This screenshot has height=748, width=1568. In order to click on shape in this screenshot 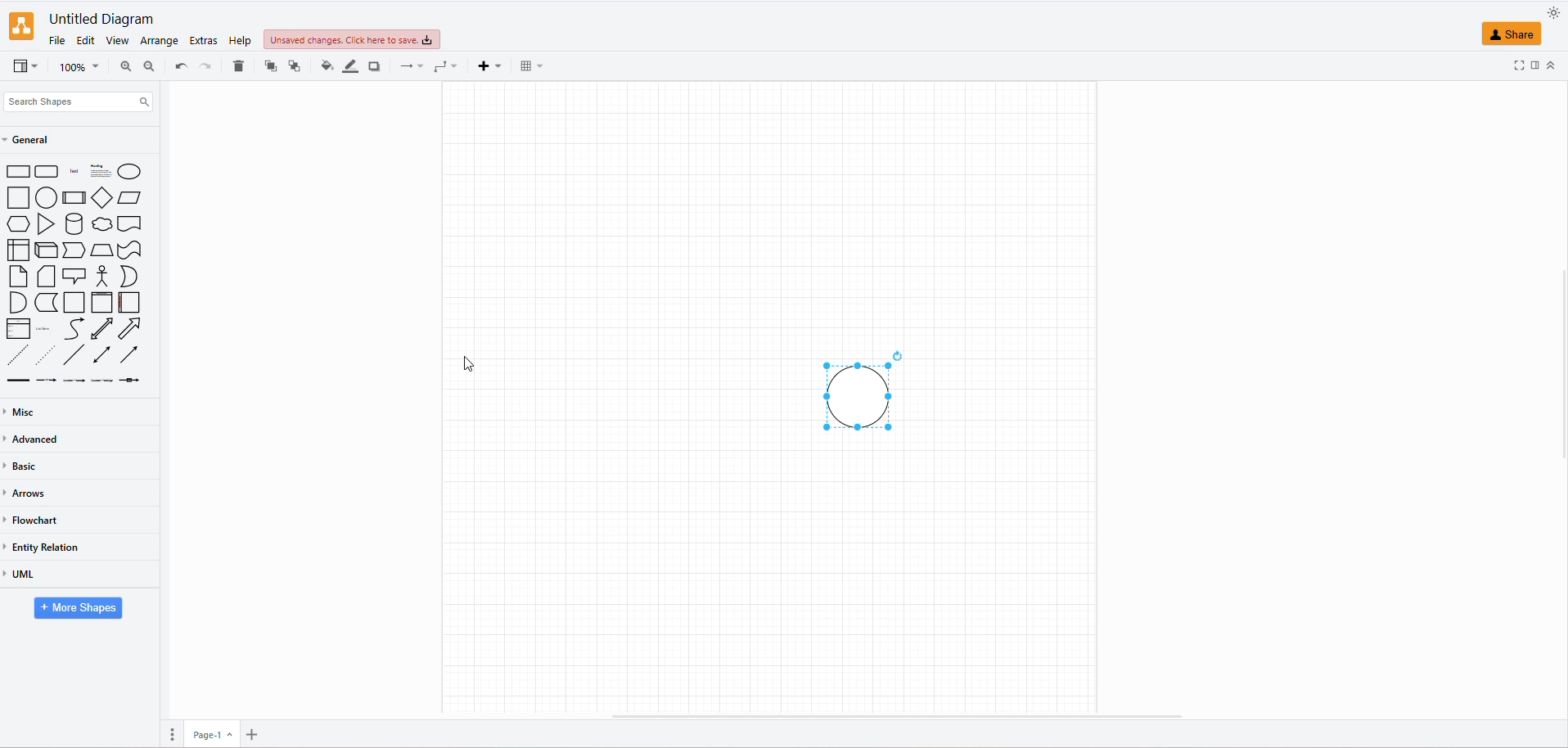, I will do `click(90, 173)`.